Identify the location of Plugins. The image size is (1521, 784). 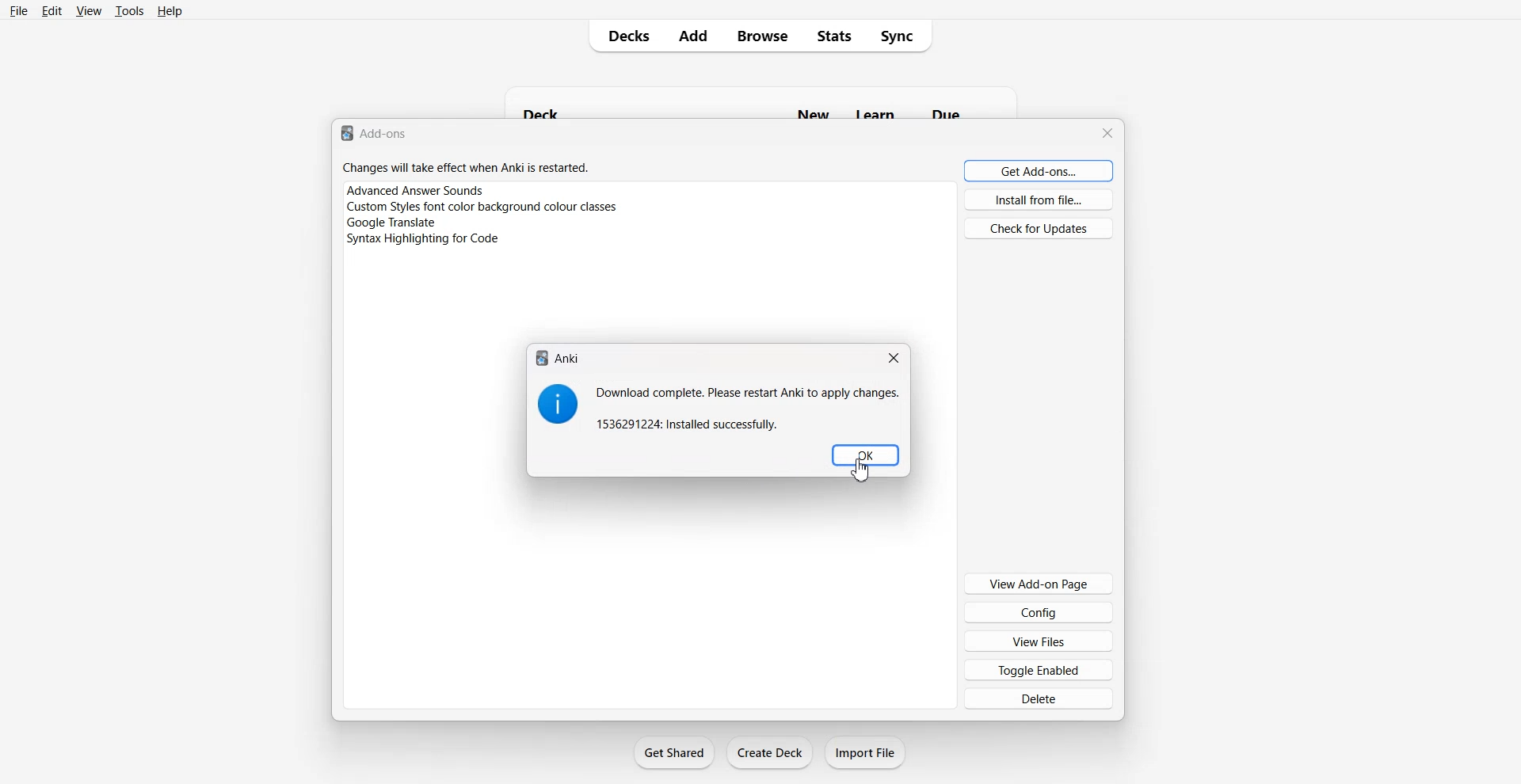
(650, 207).